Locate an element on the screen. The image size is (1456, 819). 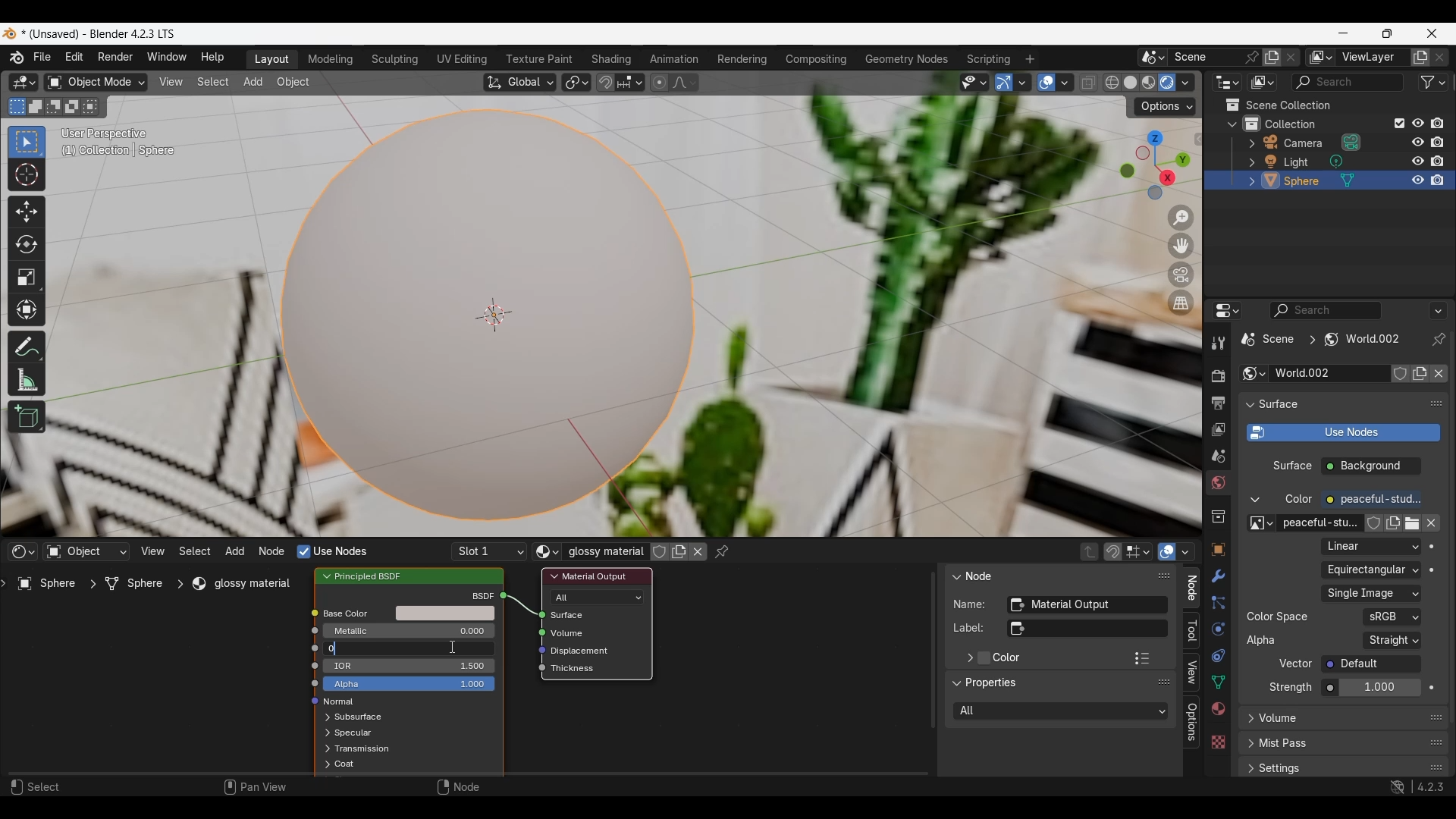
Float volume is located at coordinates (1436, 717).